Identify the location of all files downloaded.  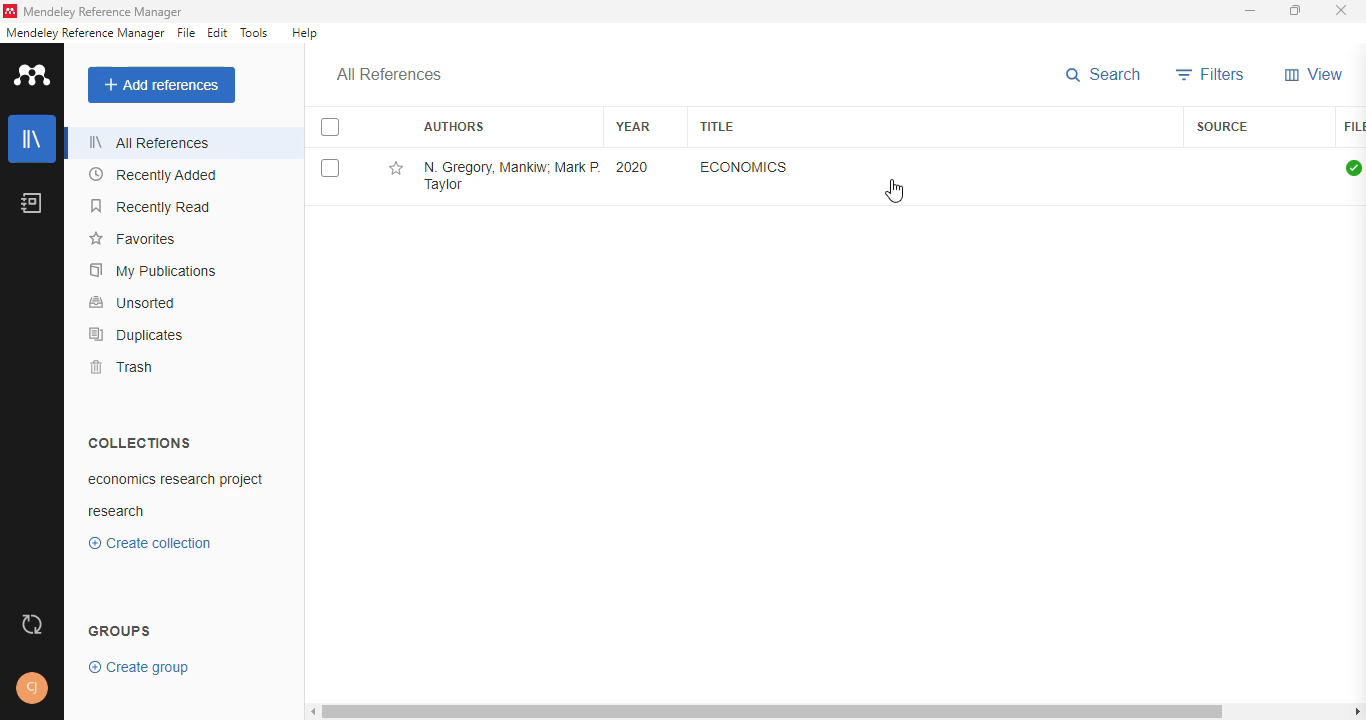
(1352, 168).